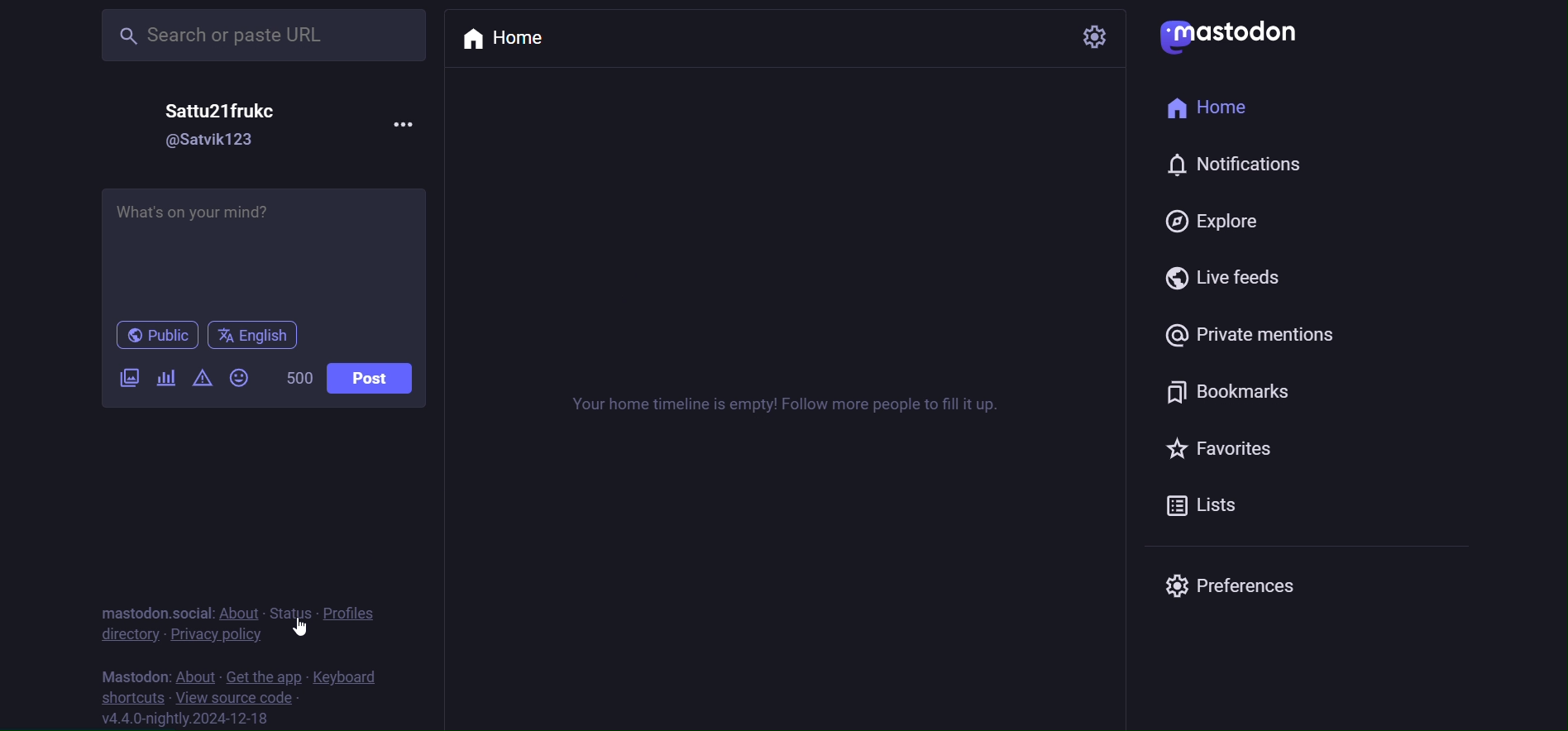  What do you see at coordinates (404, 122) in the screenshot?
I see `Menu` at bounding box center [404, 122].